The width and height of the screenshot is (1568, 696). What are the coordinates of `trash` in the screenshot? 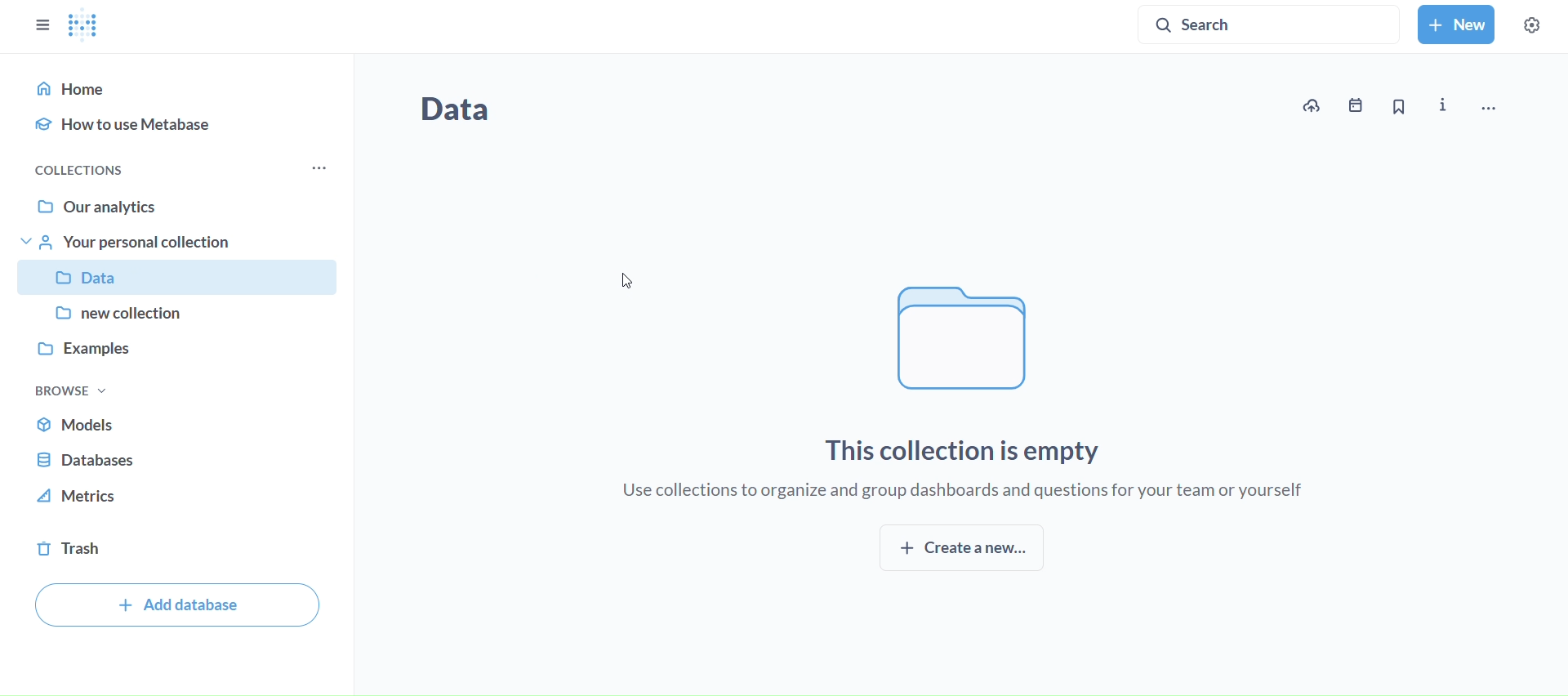 It's located at (171, 550).